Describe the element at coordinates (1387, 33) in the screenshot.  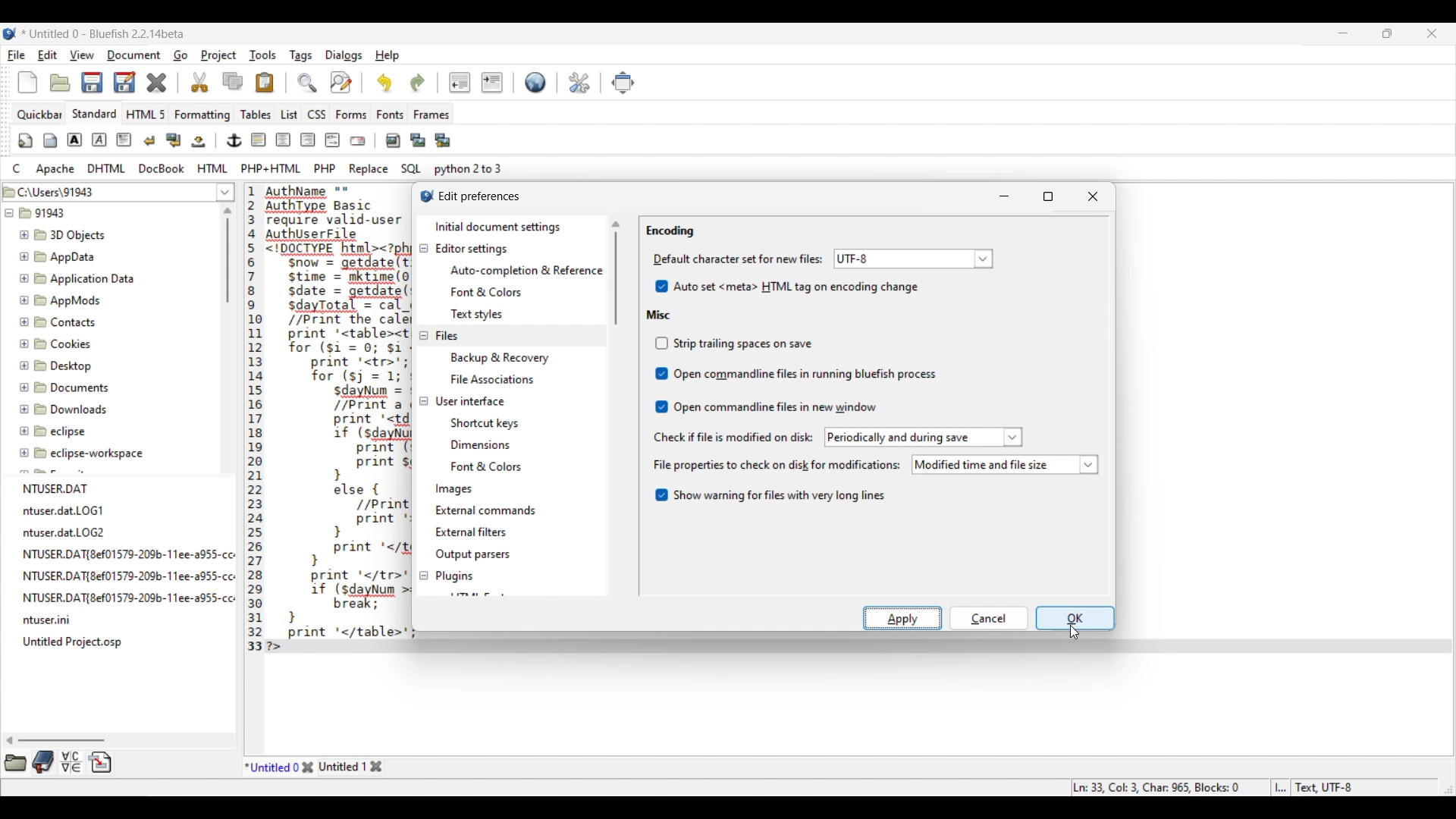
I see `Show in smaller tab` at that location.